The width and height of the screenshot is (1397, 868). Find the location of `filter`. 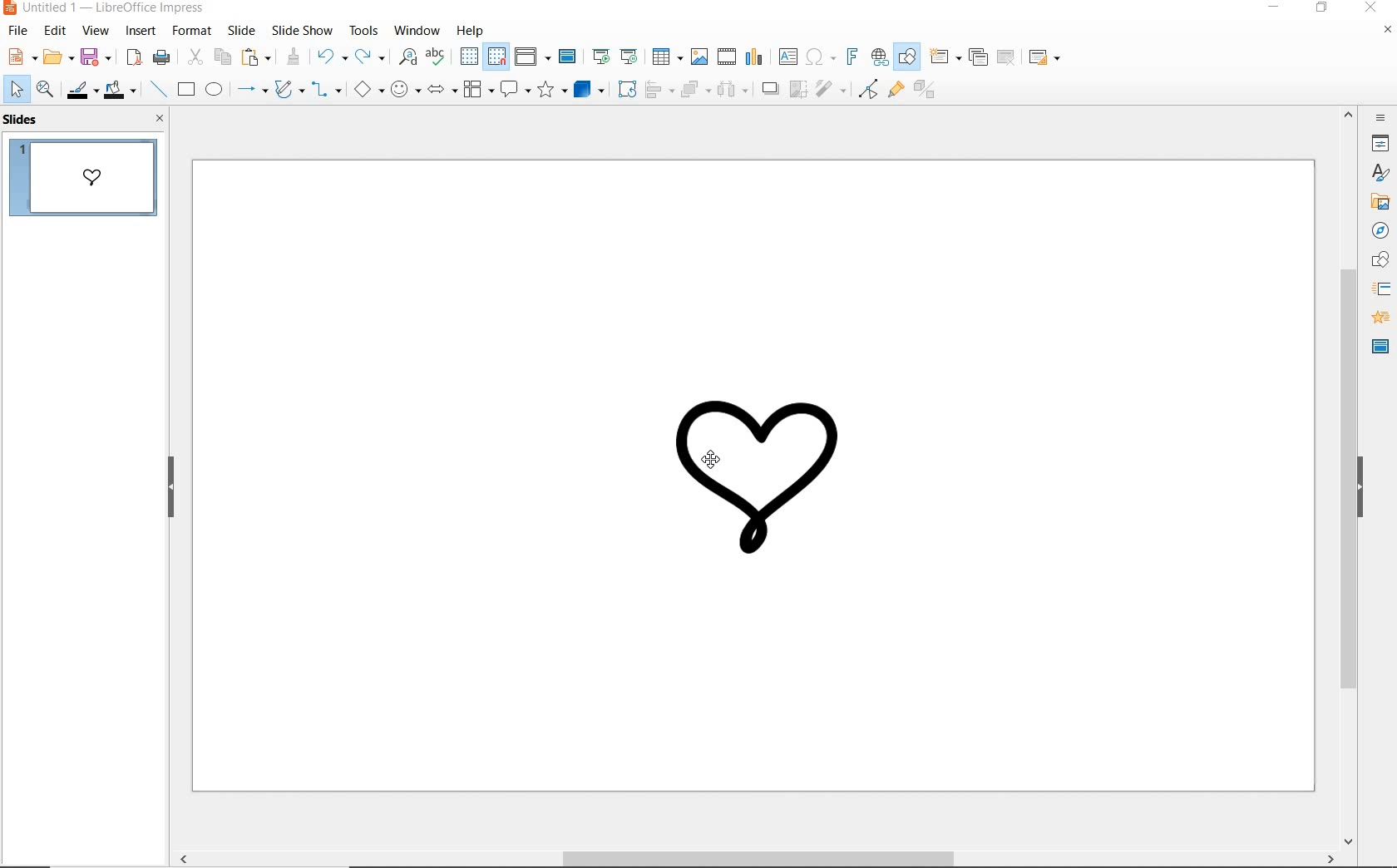

filter is located at coordinates (829, 89).